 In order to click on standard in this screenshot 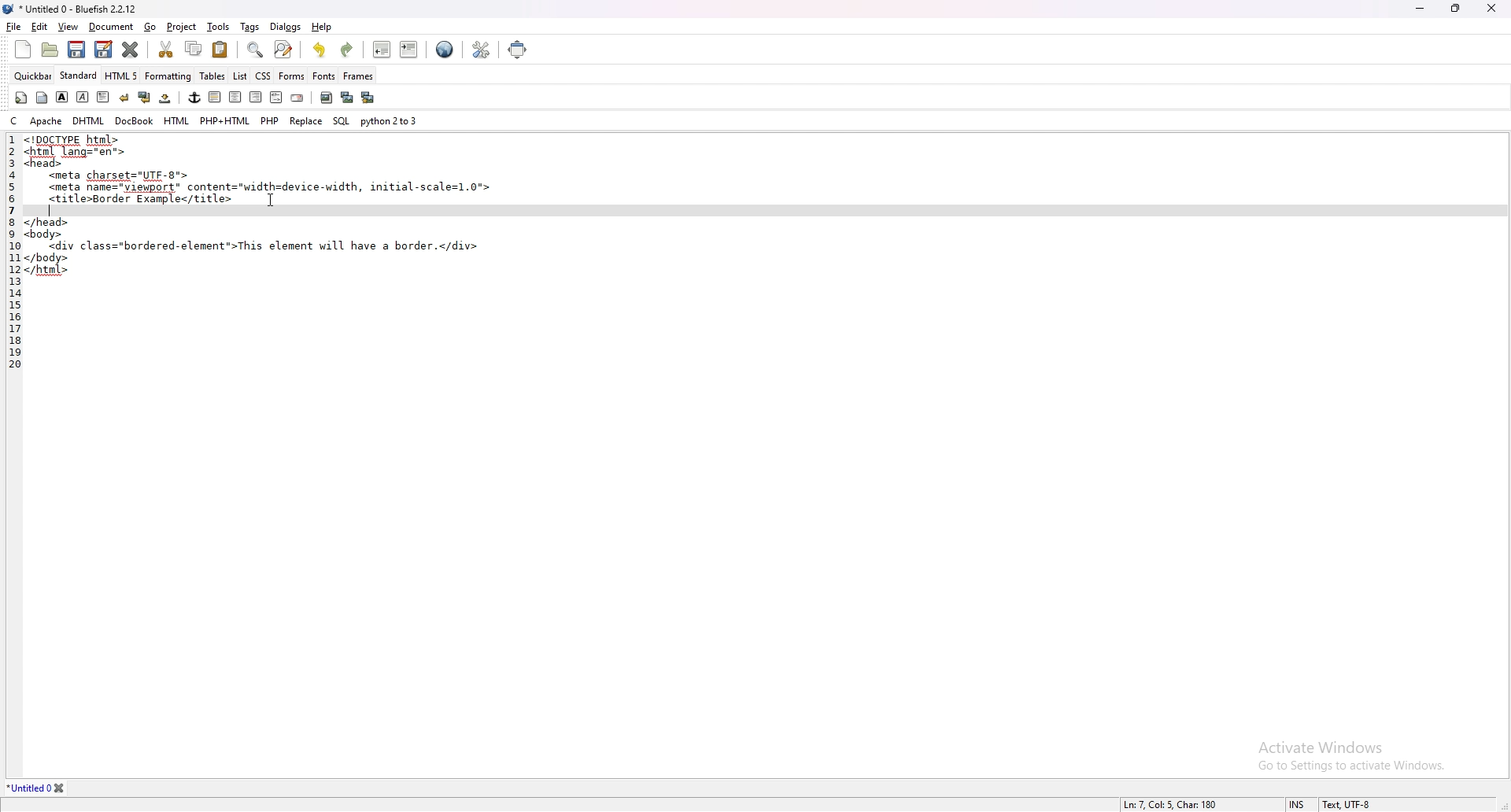, I will do `click(79, 75)`.